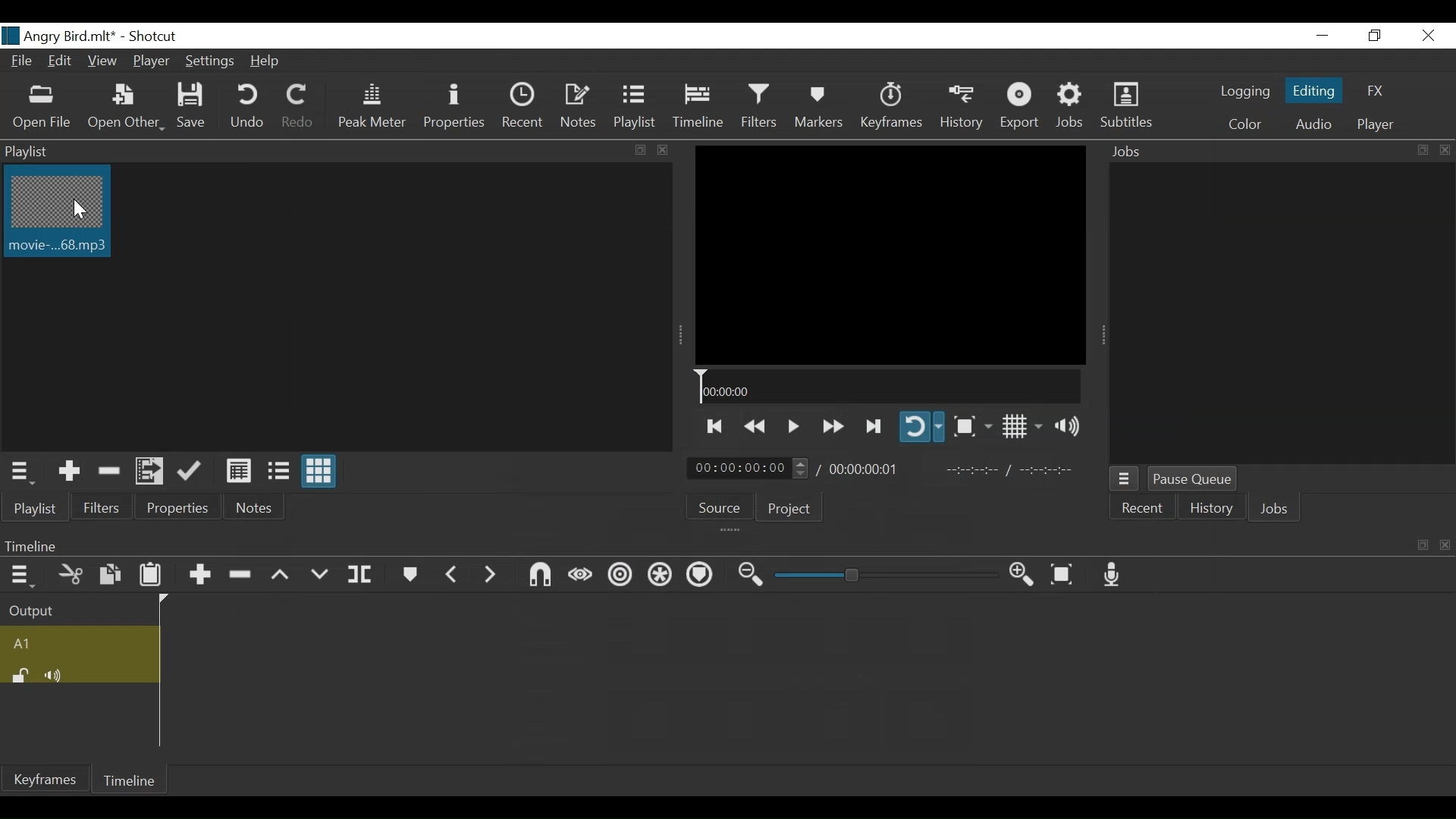 The image size is (1456, 819). I want to click on close, so click(1442, 544).